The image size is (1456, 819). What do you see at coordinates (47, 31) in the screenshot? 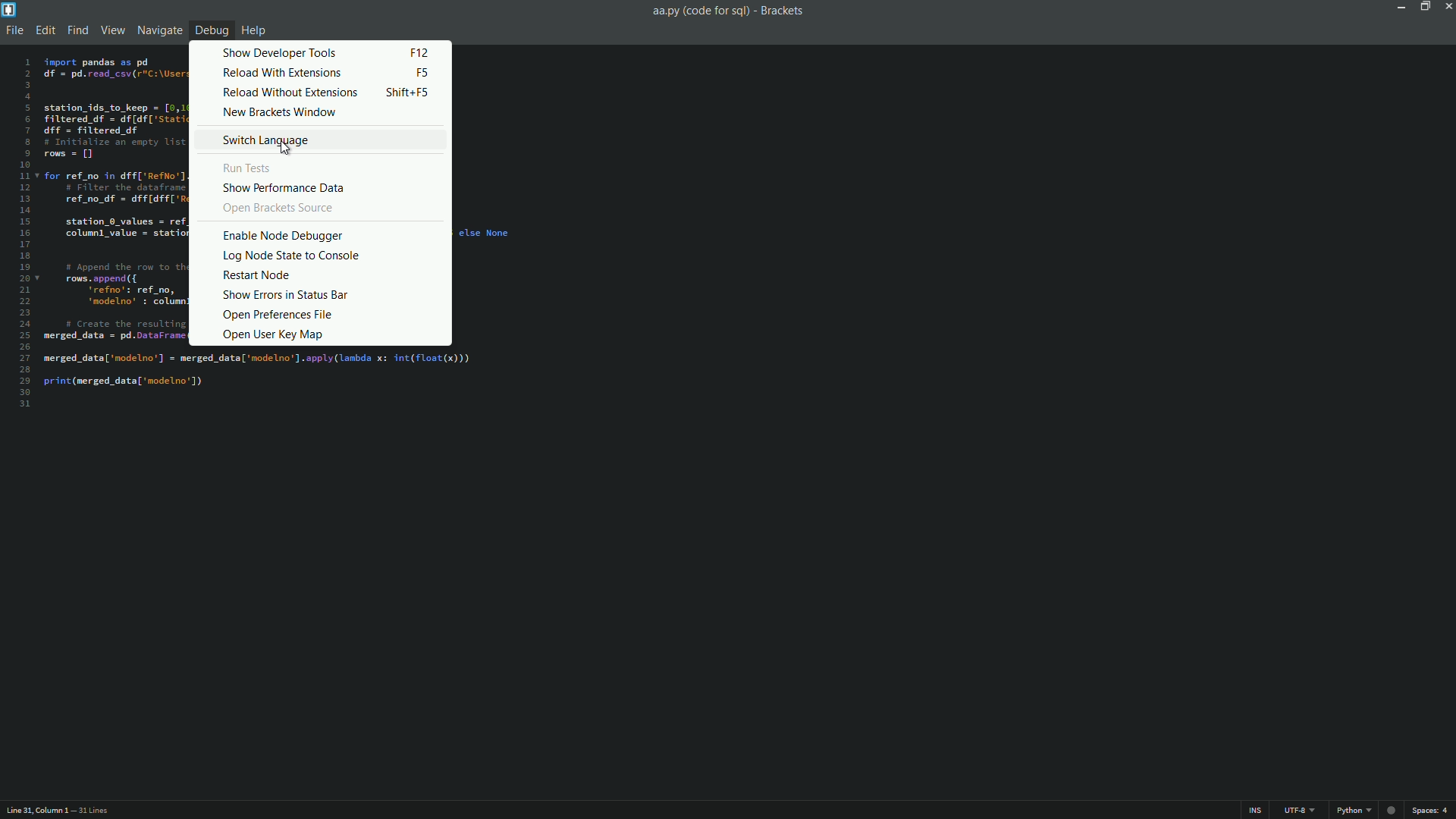
I see `edit menu` at bounding box center [47, 31].